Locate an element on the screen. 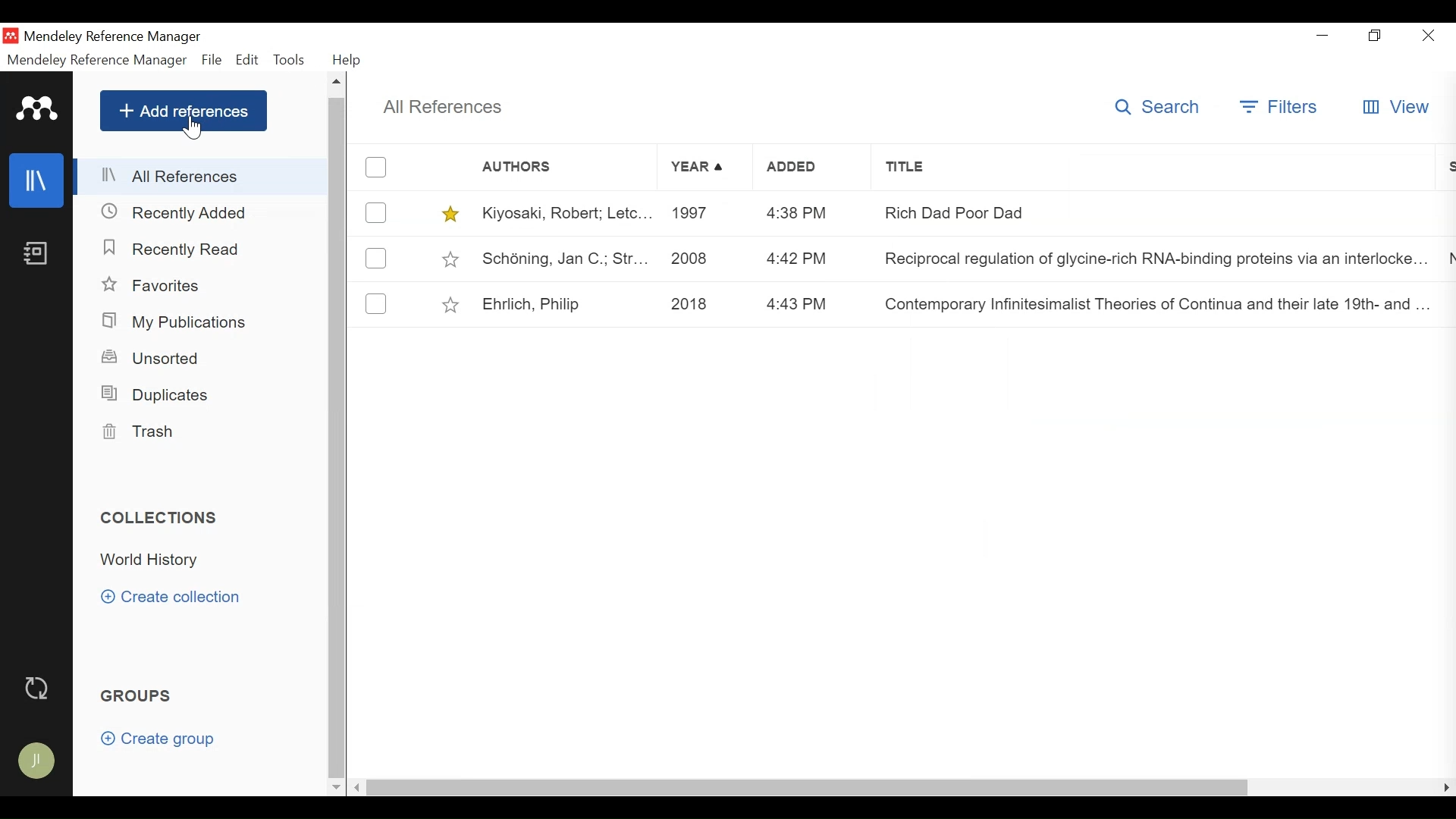  minimize is located at coordinates (1323, 37).